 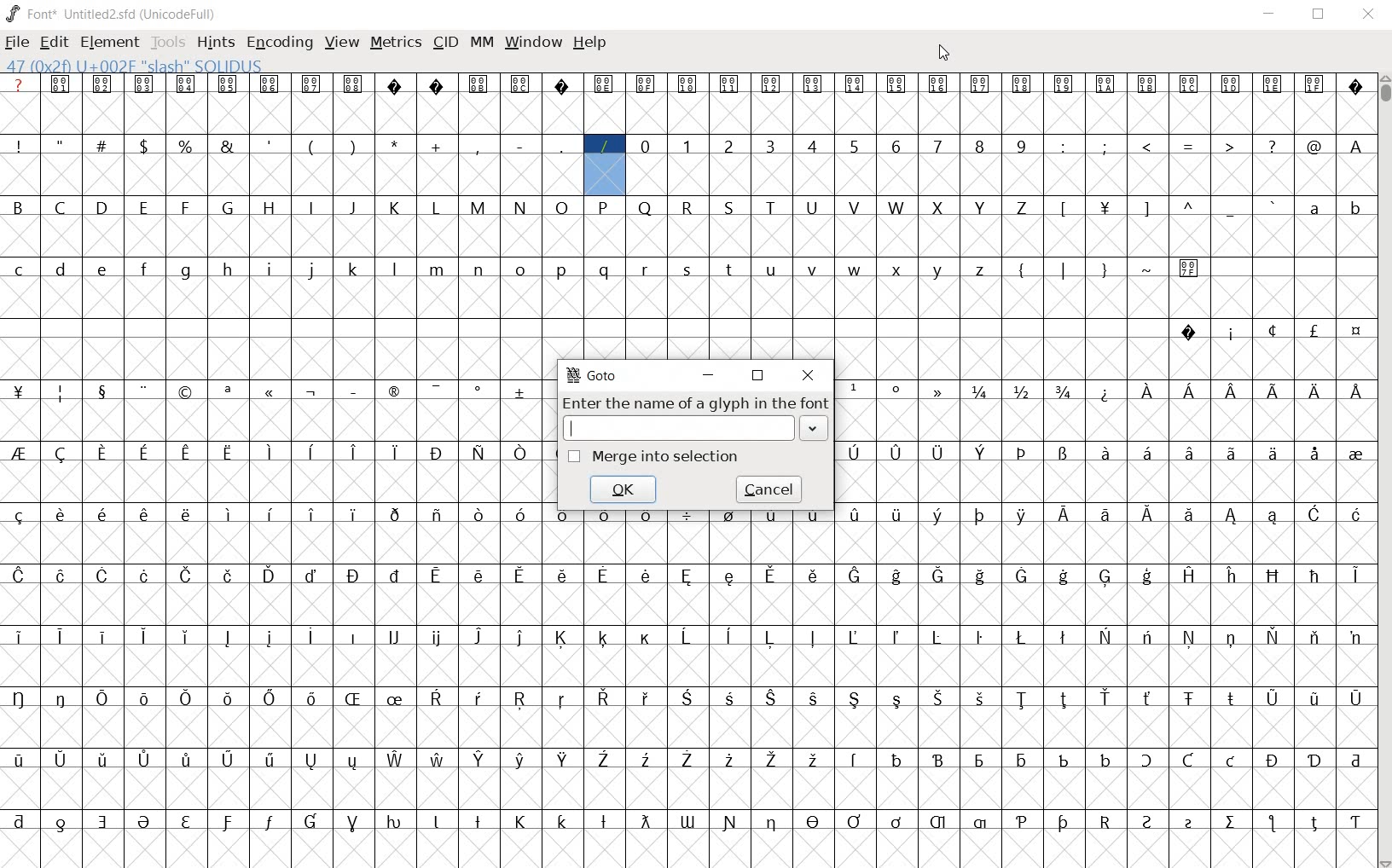 I want to click on glyph, so click(x=184, y=272).